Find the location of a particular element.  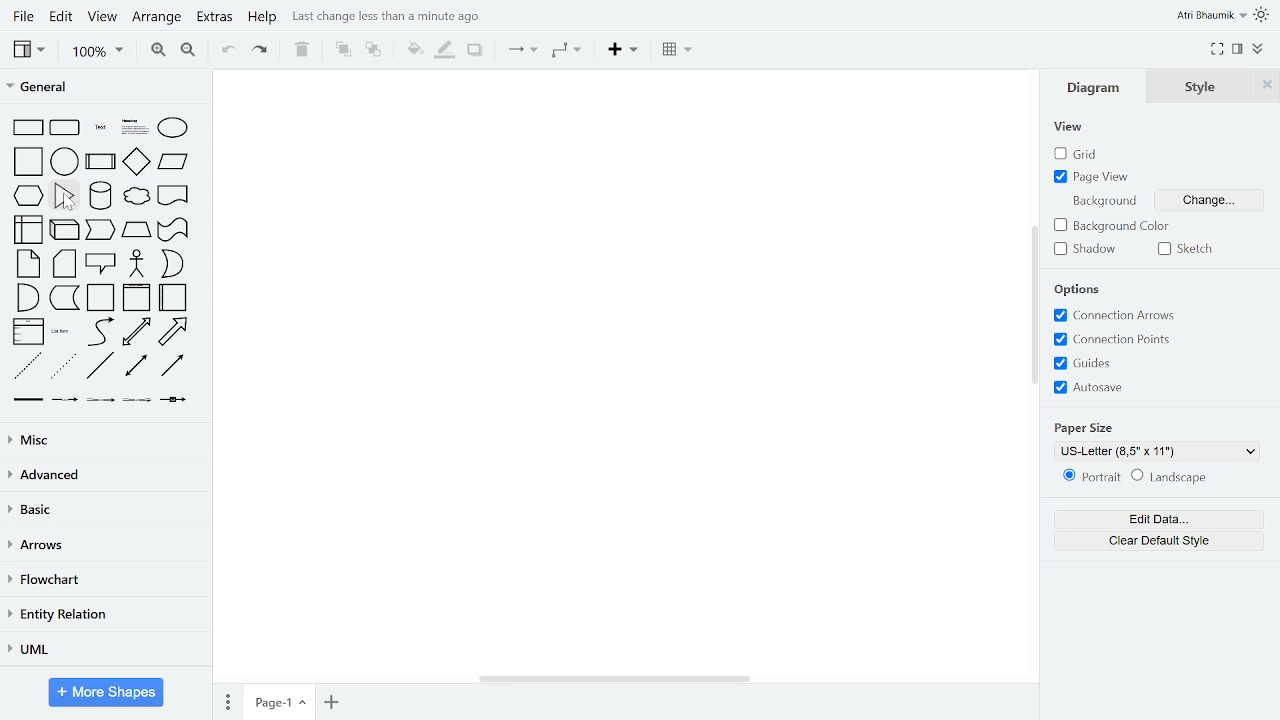

square is located at coordinates (25, 161).